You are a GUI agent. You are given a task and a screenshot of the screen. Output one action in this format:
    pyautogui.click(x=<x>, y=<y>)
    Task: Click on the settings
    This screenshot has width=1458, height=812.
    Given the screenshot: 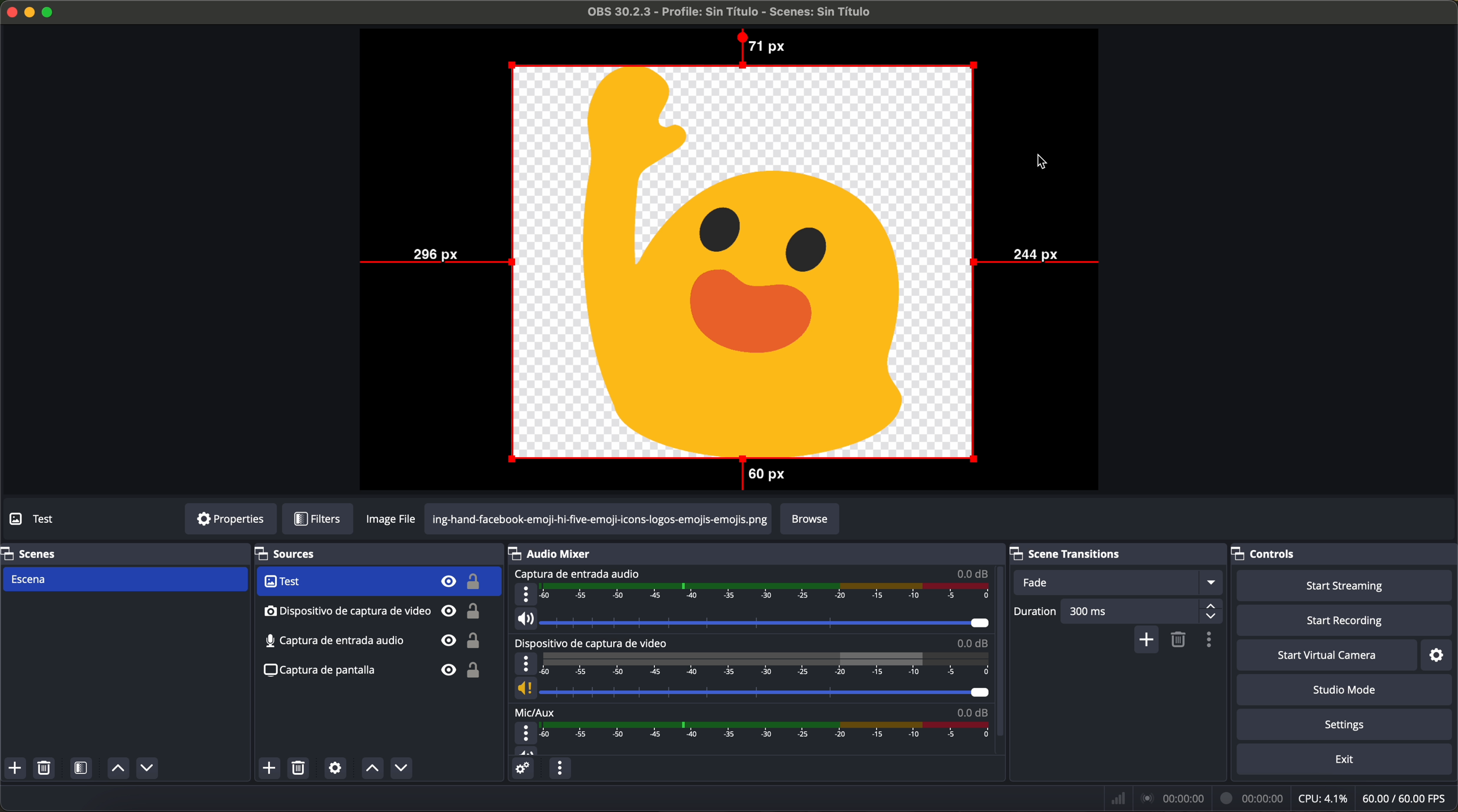 What is the action you would take?
    pyautogui.click(x=1442, y=654)
    